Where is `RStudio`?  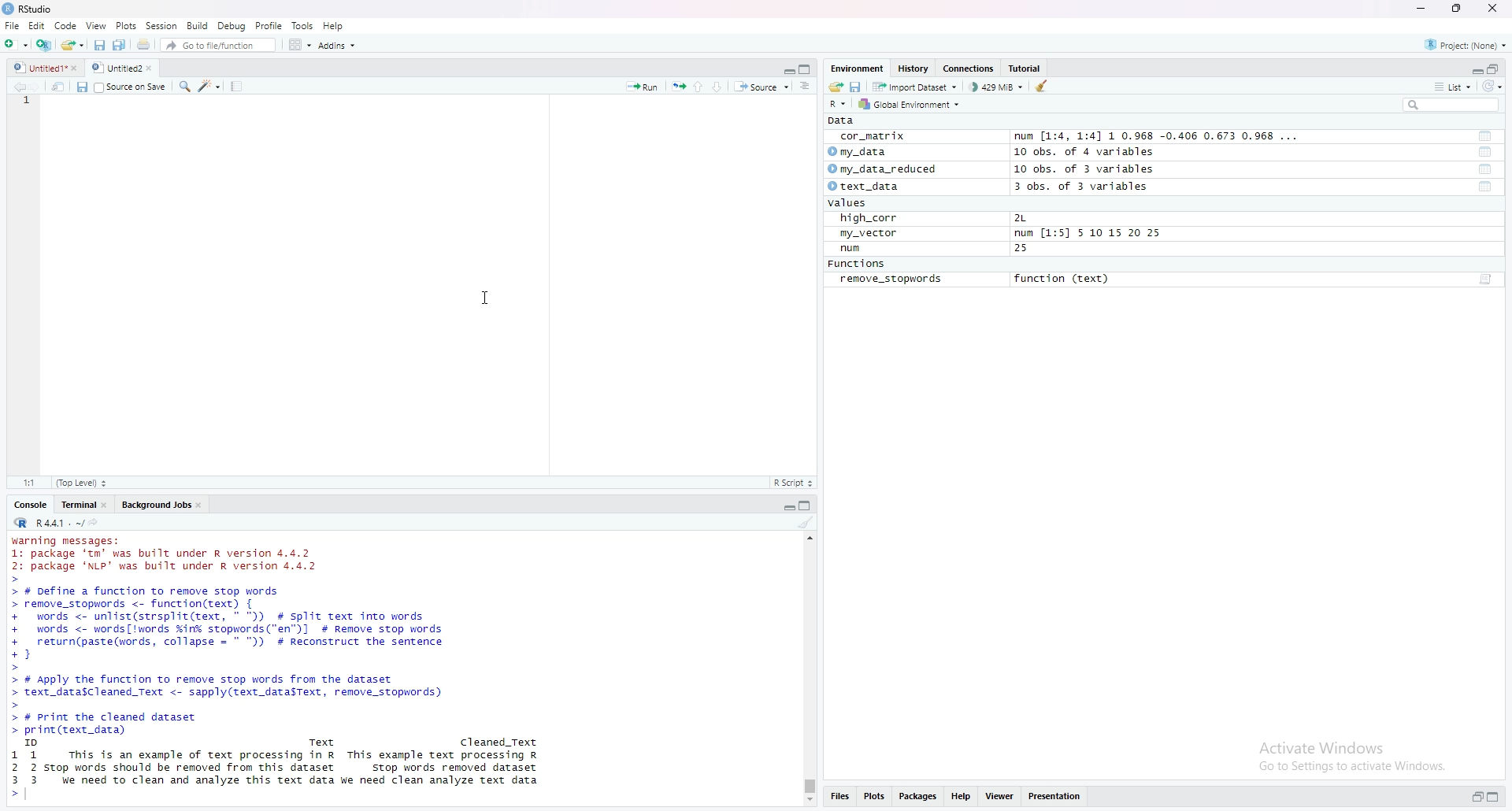 RStudio is located at coordinates (28, 9).